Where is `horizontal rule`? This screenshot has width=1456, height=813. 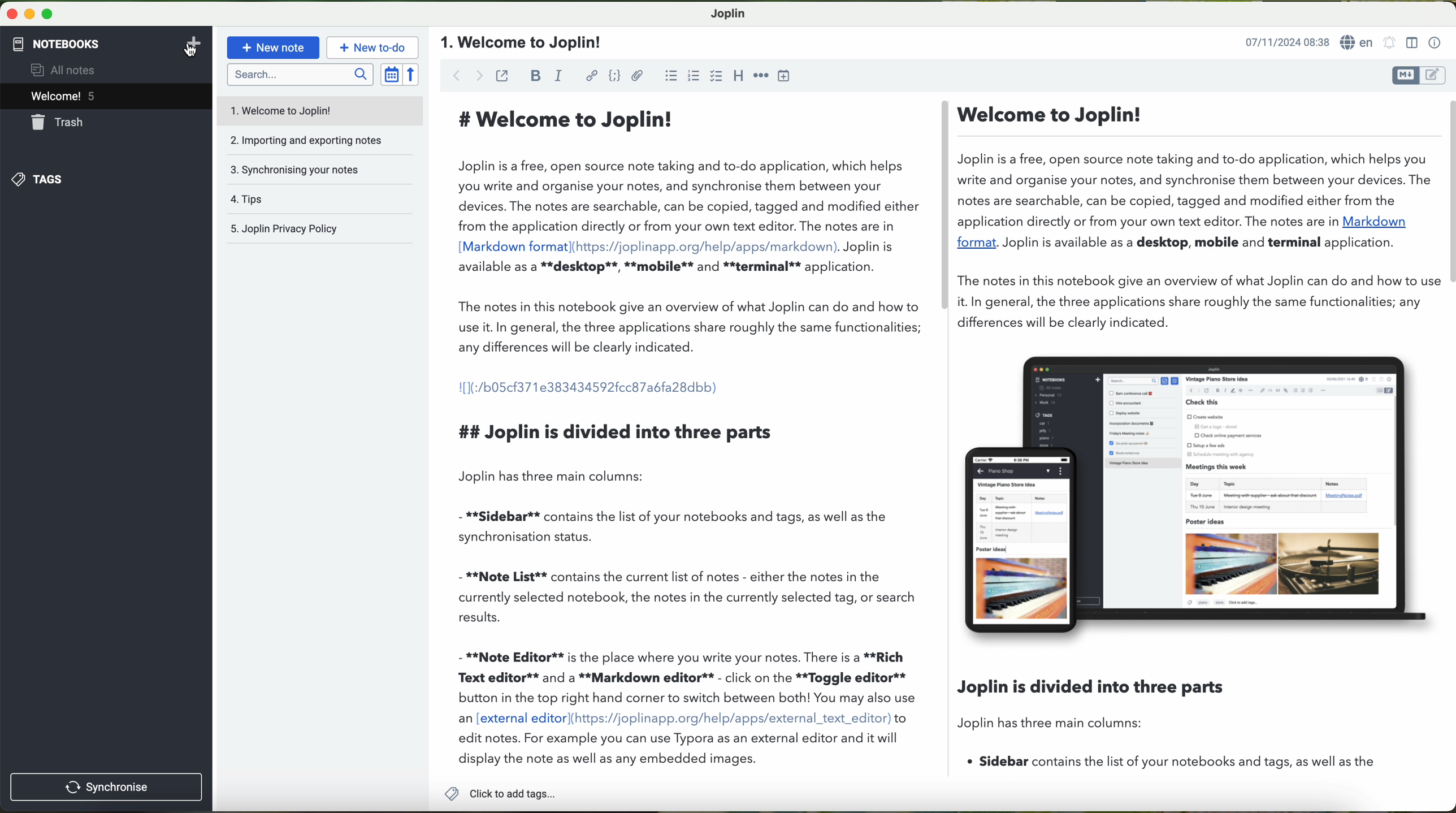 horizontal rule is located at coordinates (761, 76).